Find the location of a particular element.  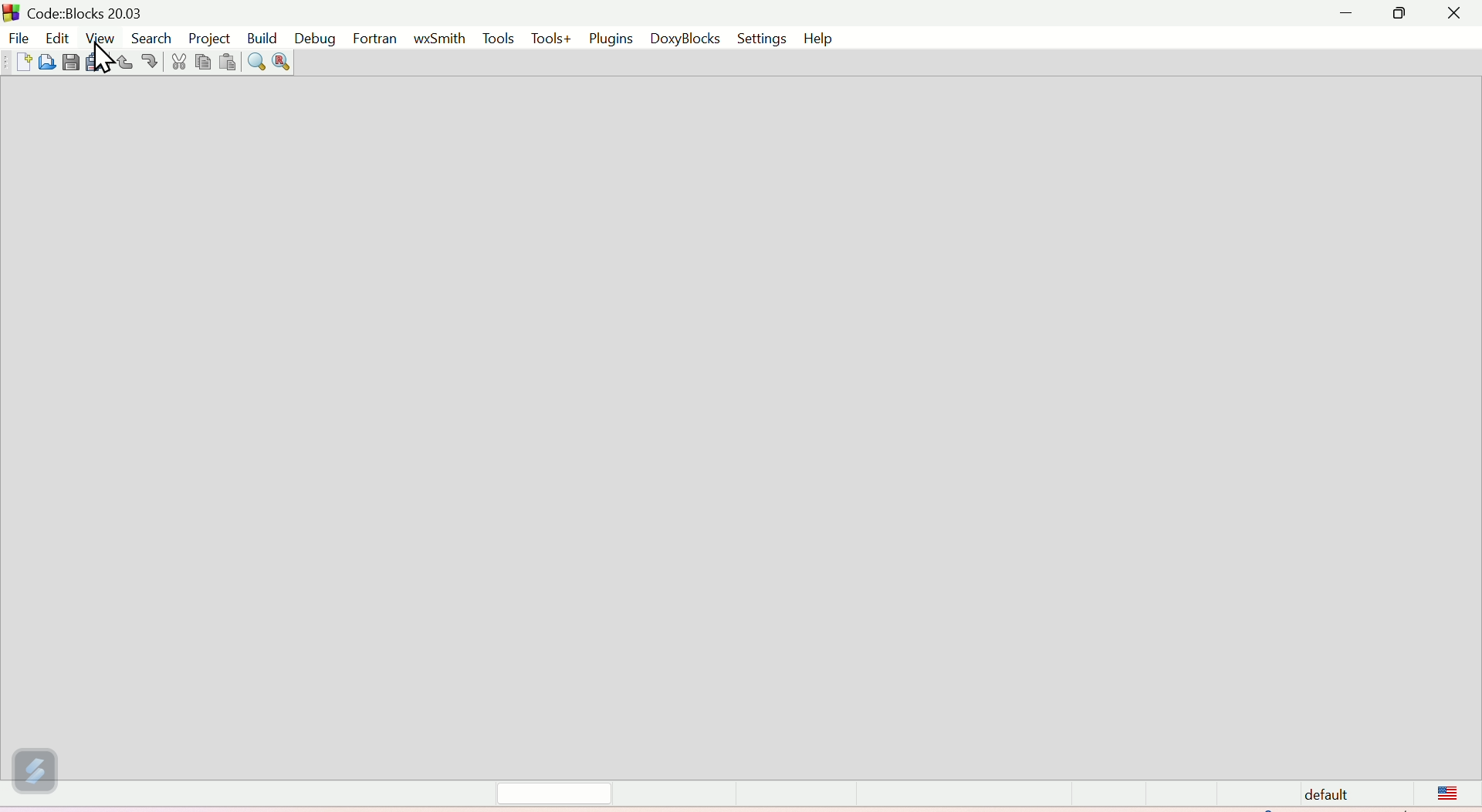

Plugins is located at coordinates (611, 39).